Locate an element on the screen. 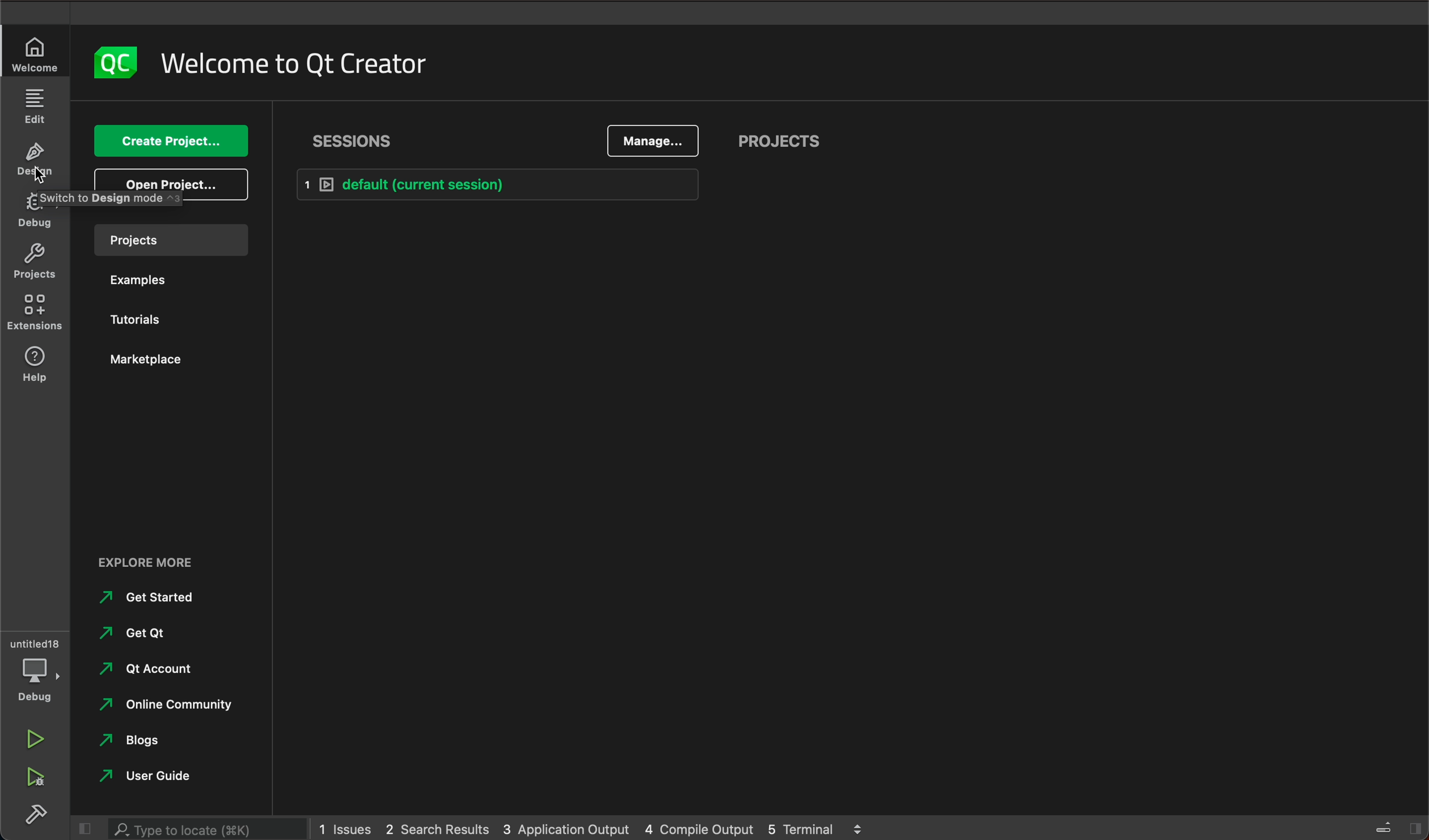 The height and width of the screenshot is (840, 1429). logo is located at coordinates (112, 61).